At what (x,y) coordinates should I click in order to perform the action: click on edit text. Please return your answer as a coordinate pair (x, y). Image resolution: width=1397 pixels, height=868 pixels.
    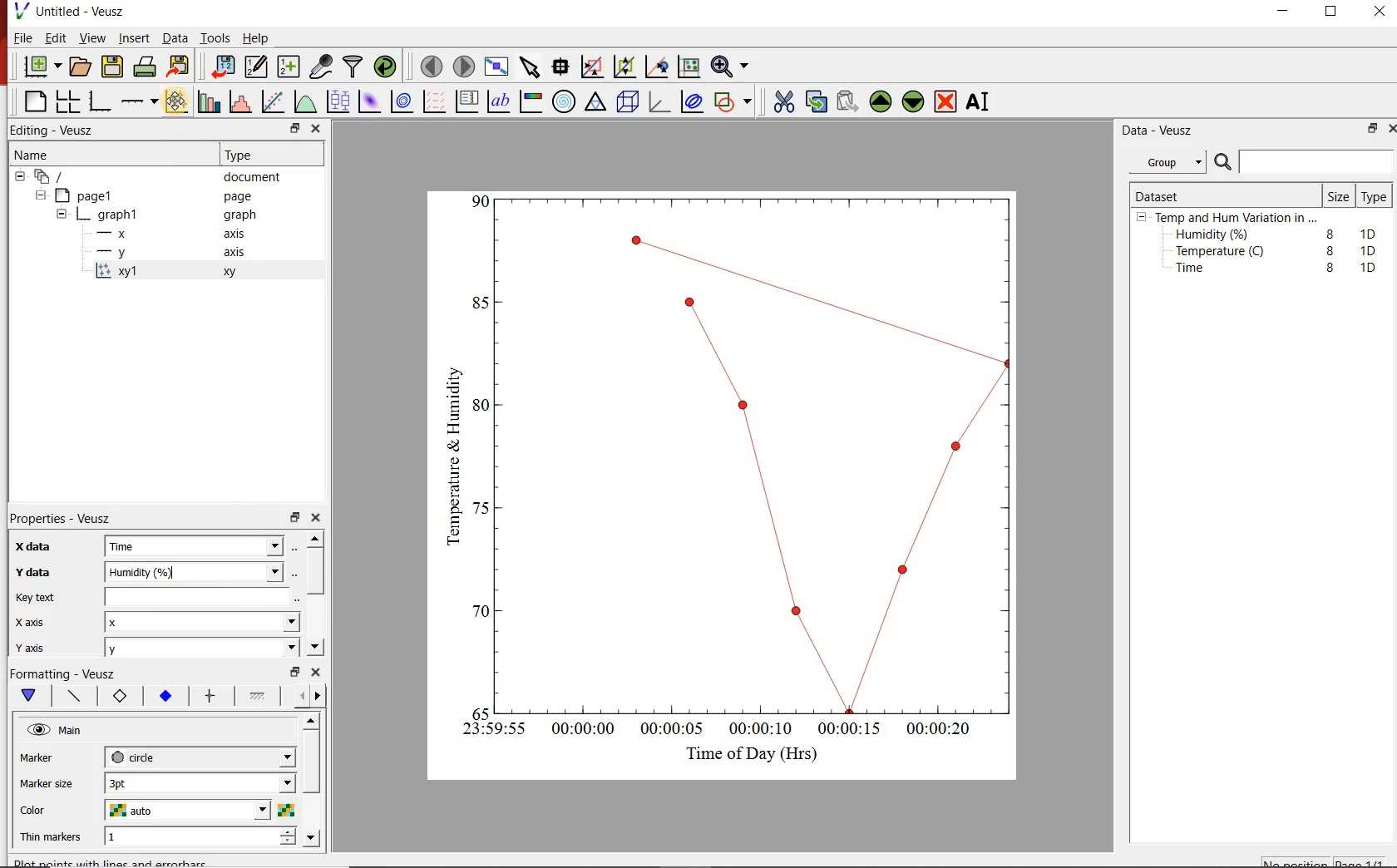
    Looking at the image, I should click on (292, 599).